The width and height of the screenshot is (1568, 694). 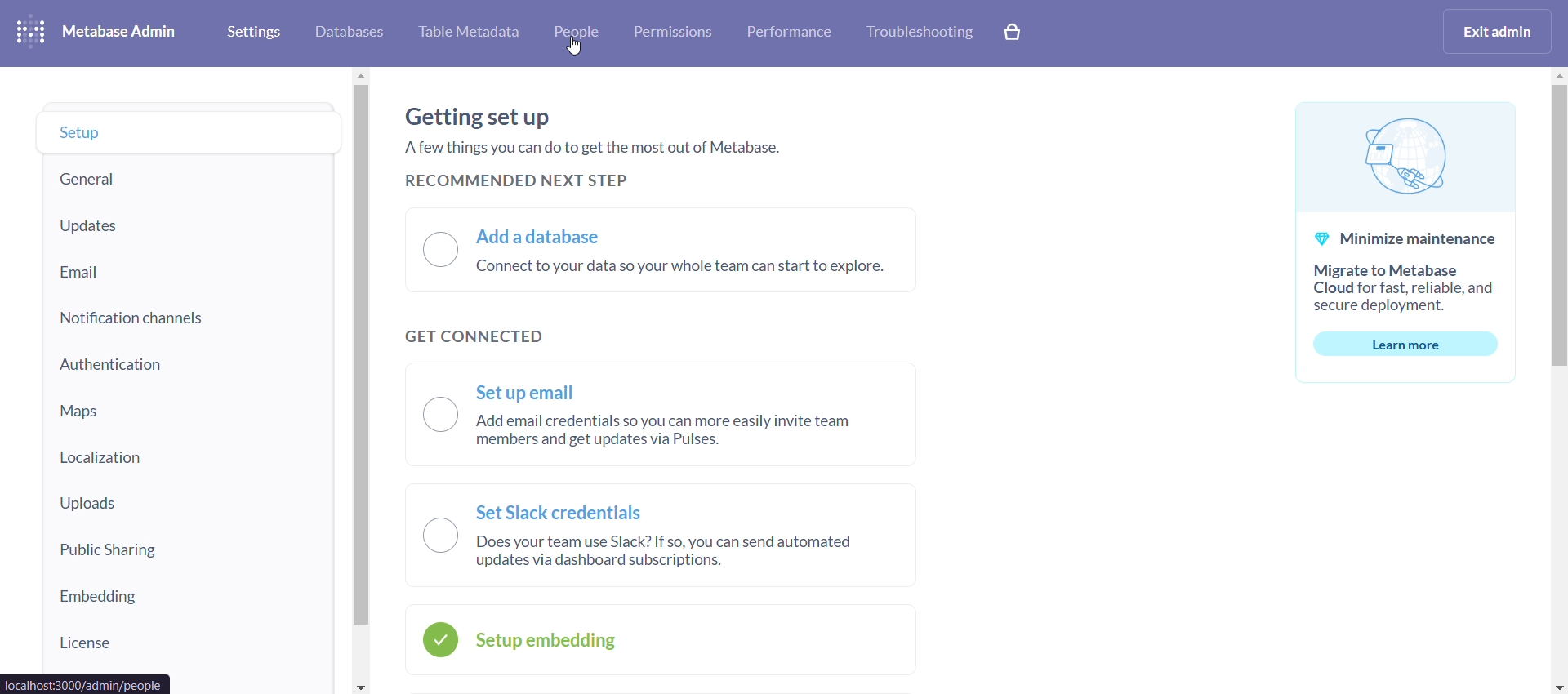 I want to click on localization, so click(x=186, y=460).